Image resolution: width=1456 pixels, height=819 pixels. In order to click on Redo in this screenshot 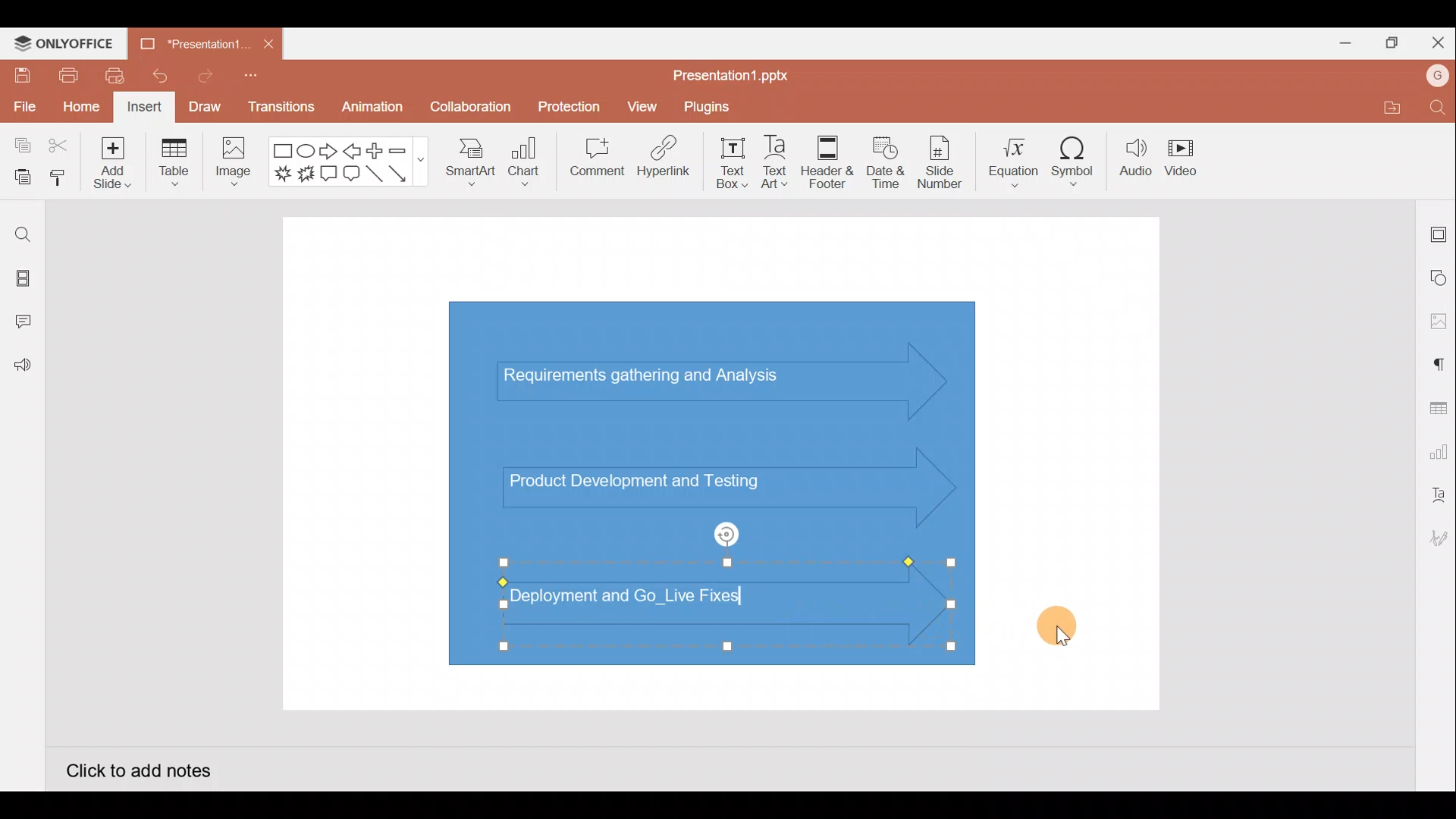, I will do `click(199, 75)`.